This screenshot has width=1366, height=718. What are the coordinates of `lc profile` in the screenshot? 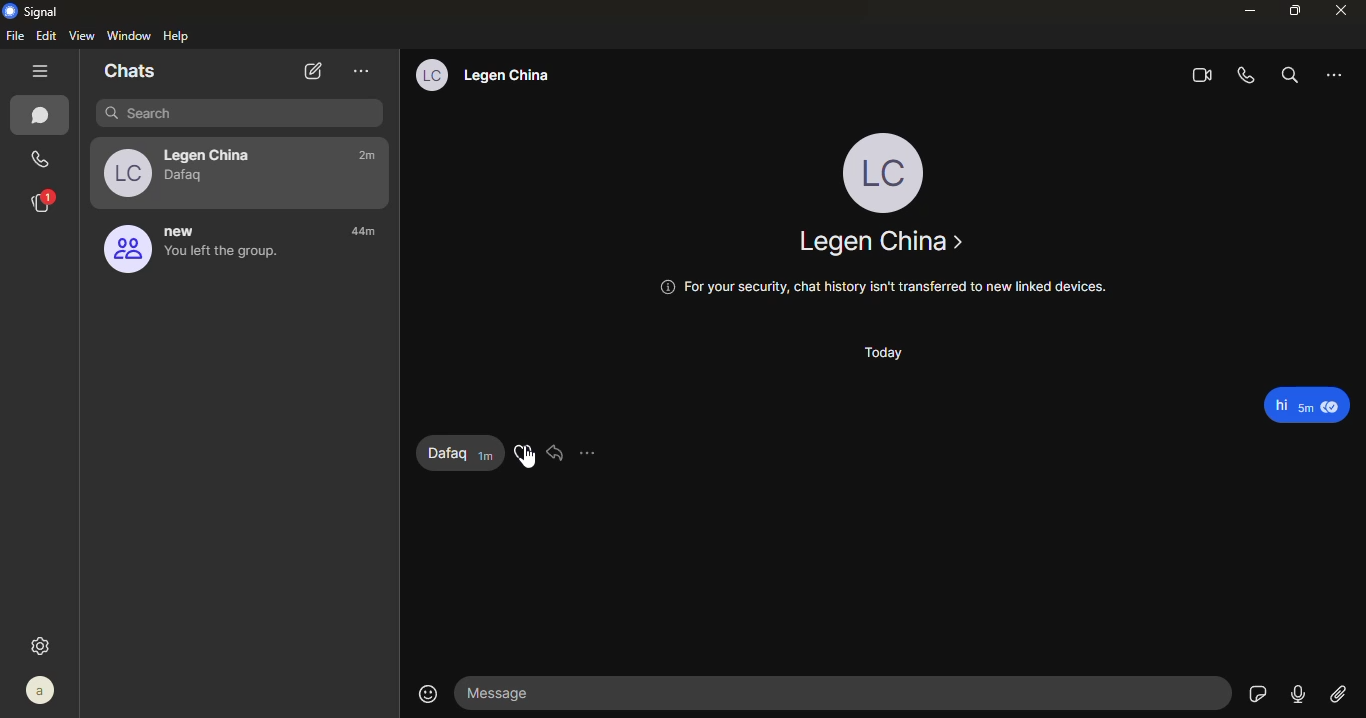 It's located at (430, 75).